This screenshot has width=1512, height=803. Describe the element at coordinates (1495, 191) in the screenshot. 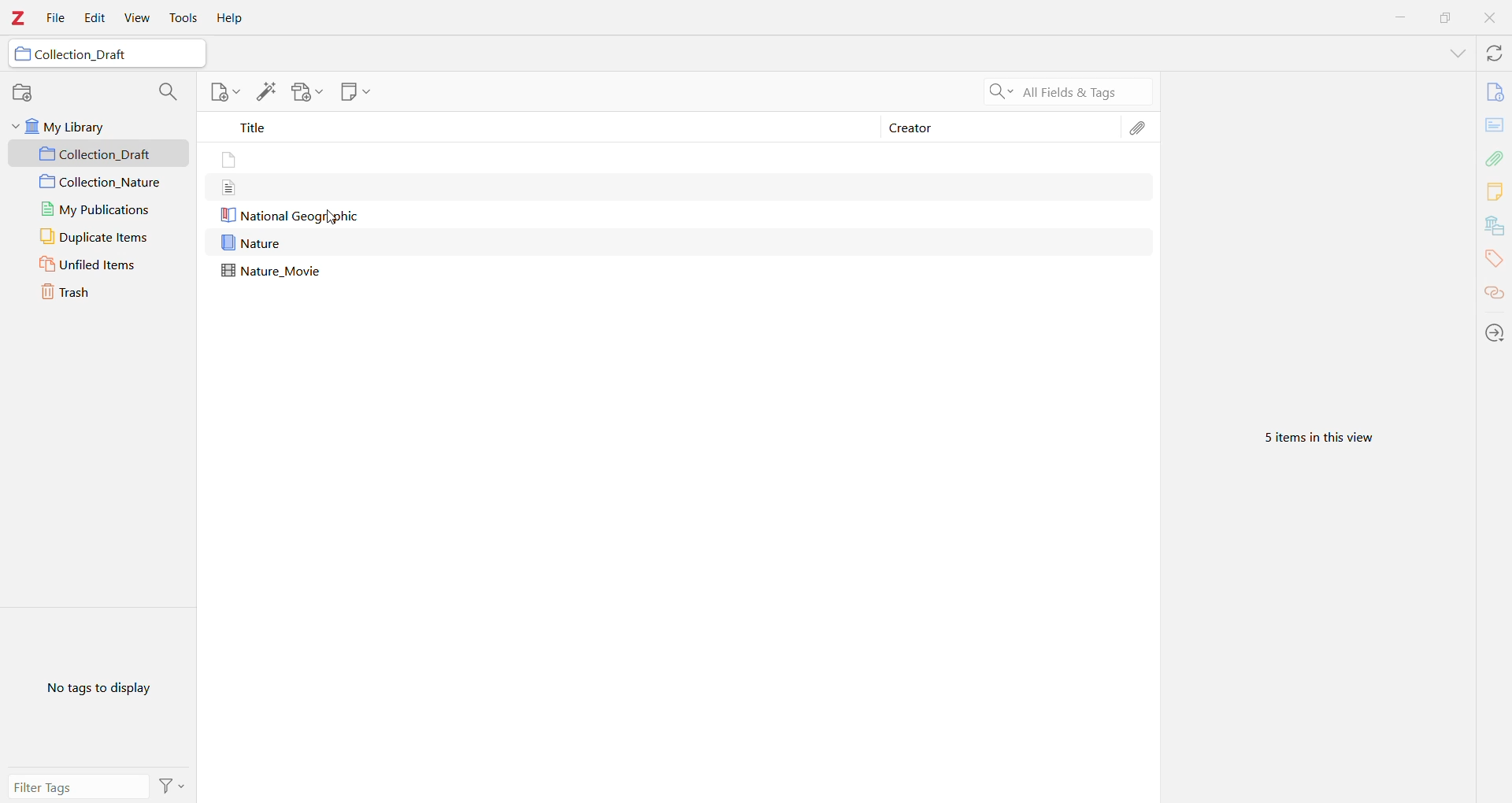

I see `Notes` at that location.